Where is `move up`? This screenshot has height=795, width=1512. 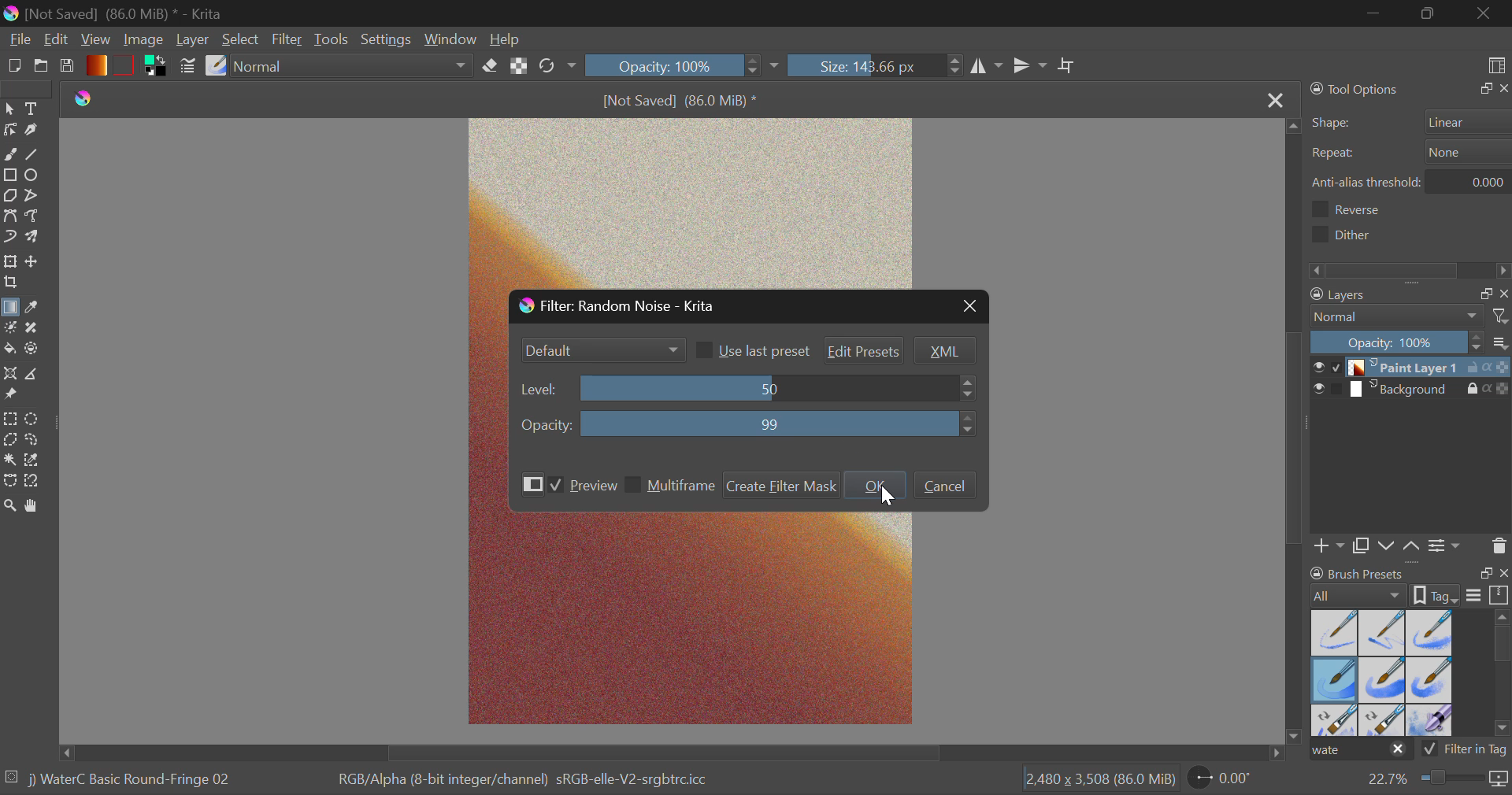 move up is located at coordinates (1291, 124).